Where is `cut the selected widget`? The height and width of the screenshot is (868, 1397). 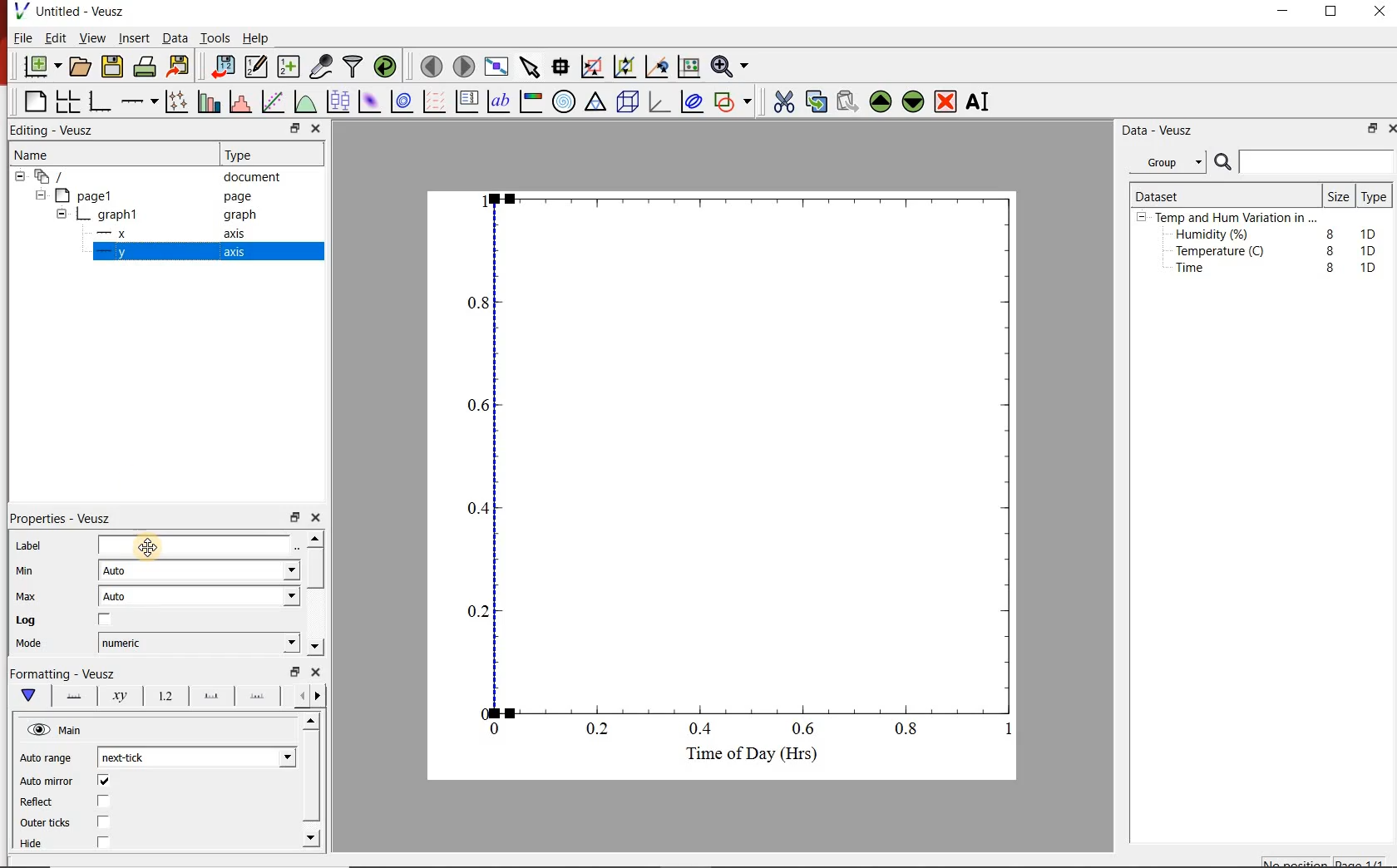 cut the selected widget is located at coordinates (782, 100).